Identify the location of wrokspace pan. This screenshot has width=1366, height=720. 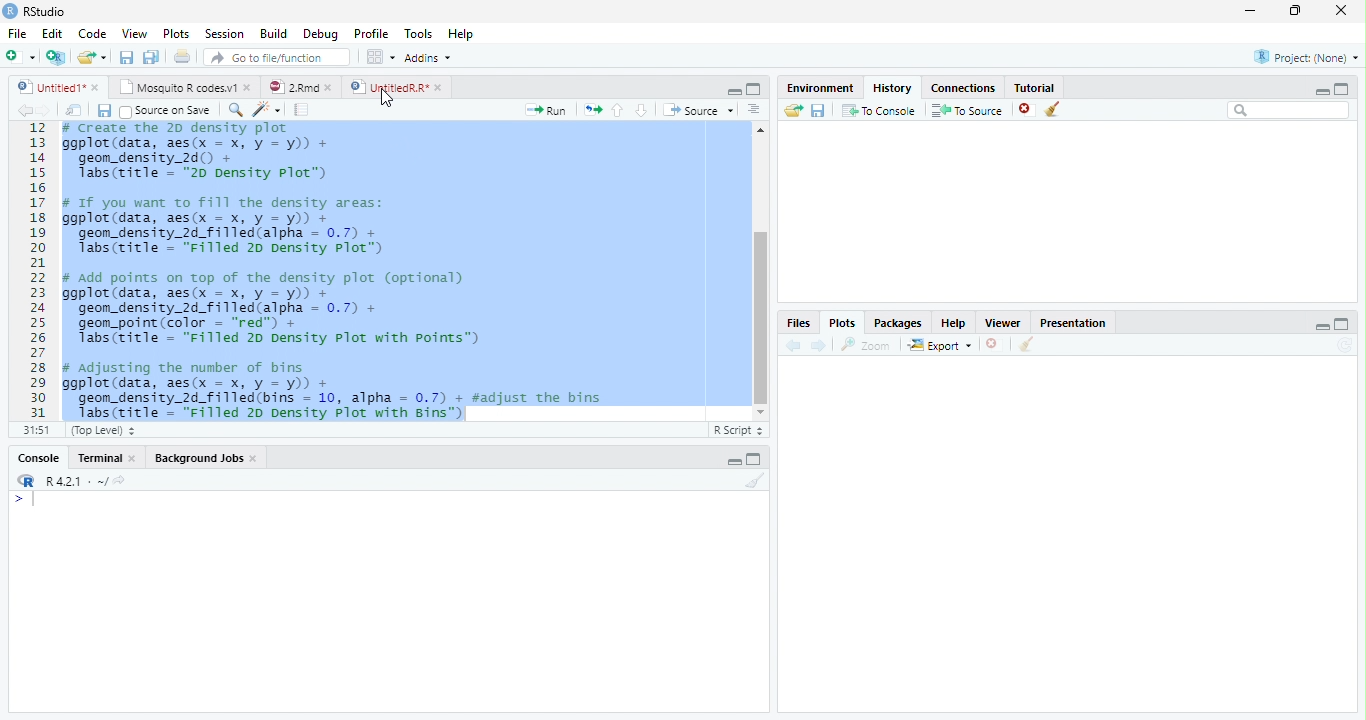
(379, 57).